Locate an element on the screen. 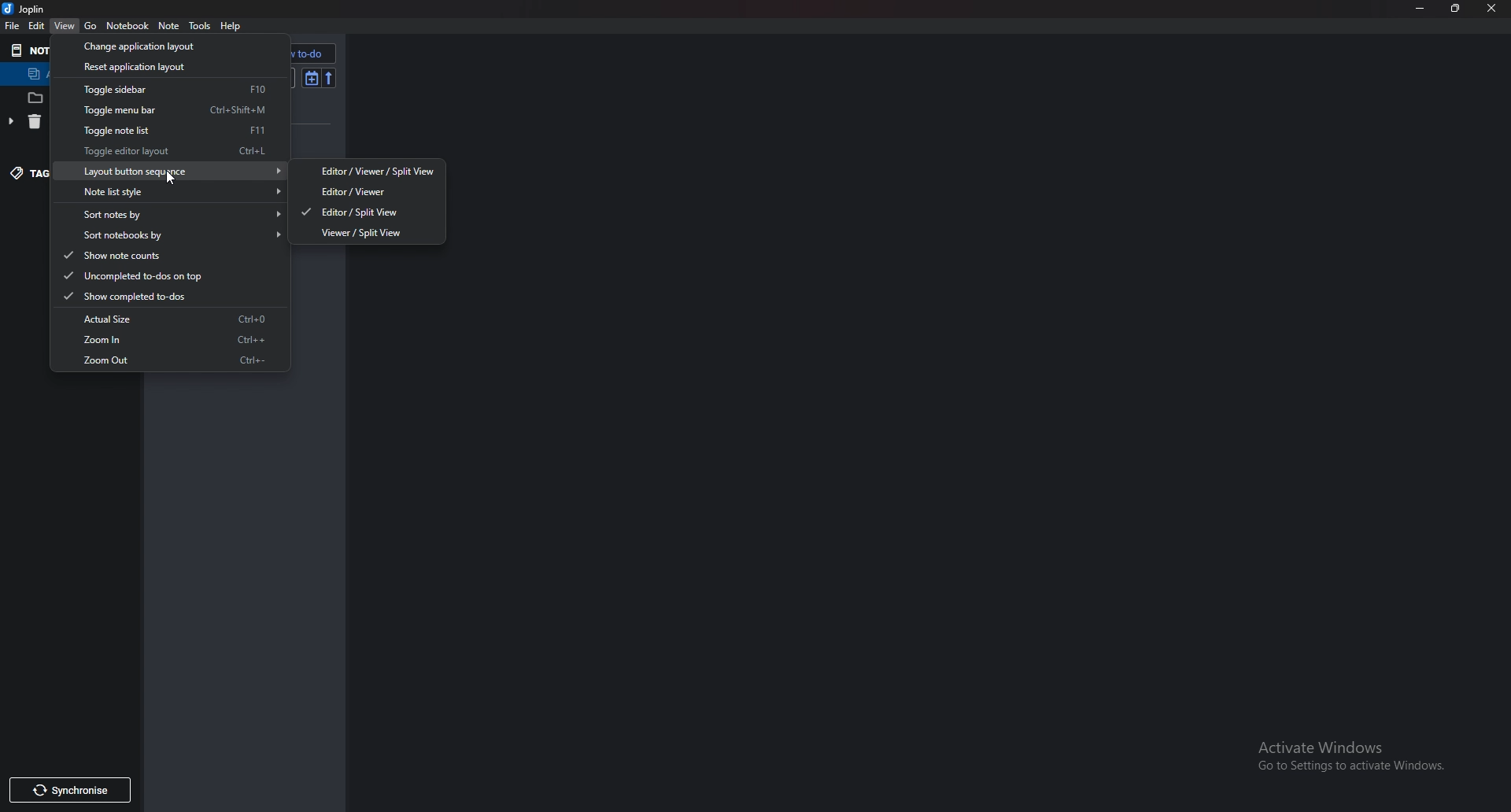 The width and height of the screenshot is (1511, 812). go is located at coordinates (91, 25).